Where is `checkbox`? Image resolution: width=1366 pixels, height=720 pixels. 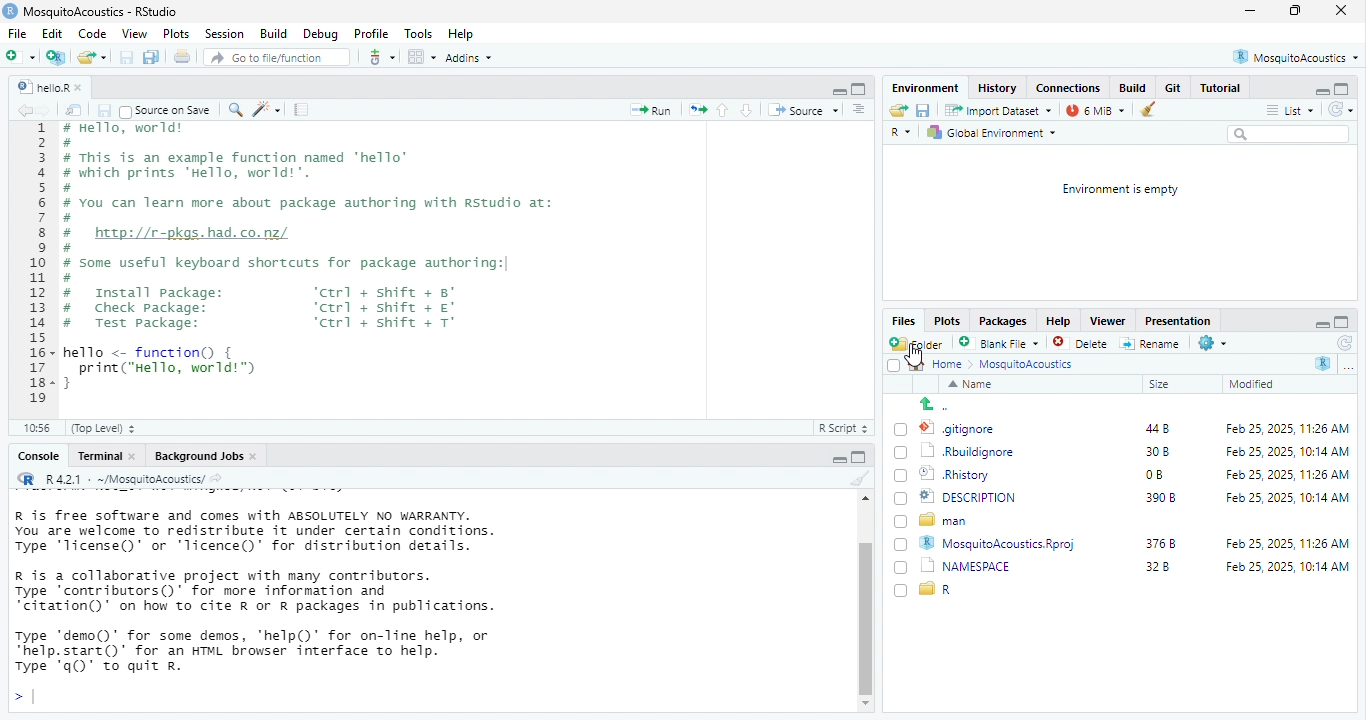 checkbox is located at coordinates (900, 544).